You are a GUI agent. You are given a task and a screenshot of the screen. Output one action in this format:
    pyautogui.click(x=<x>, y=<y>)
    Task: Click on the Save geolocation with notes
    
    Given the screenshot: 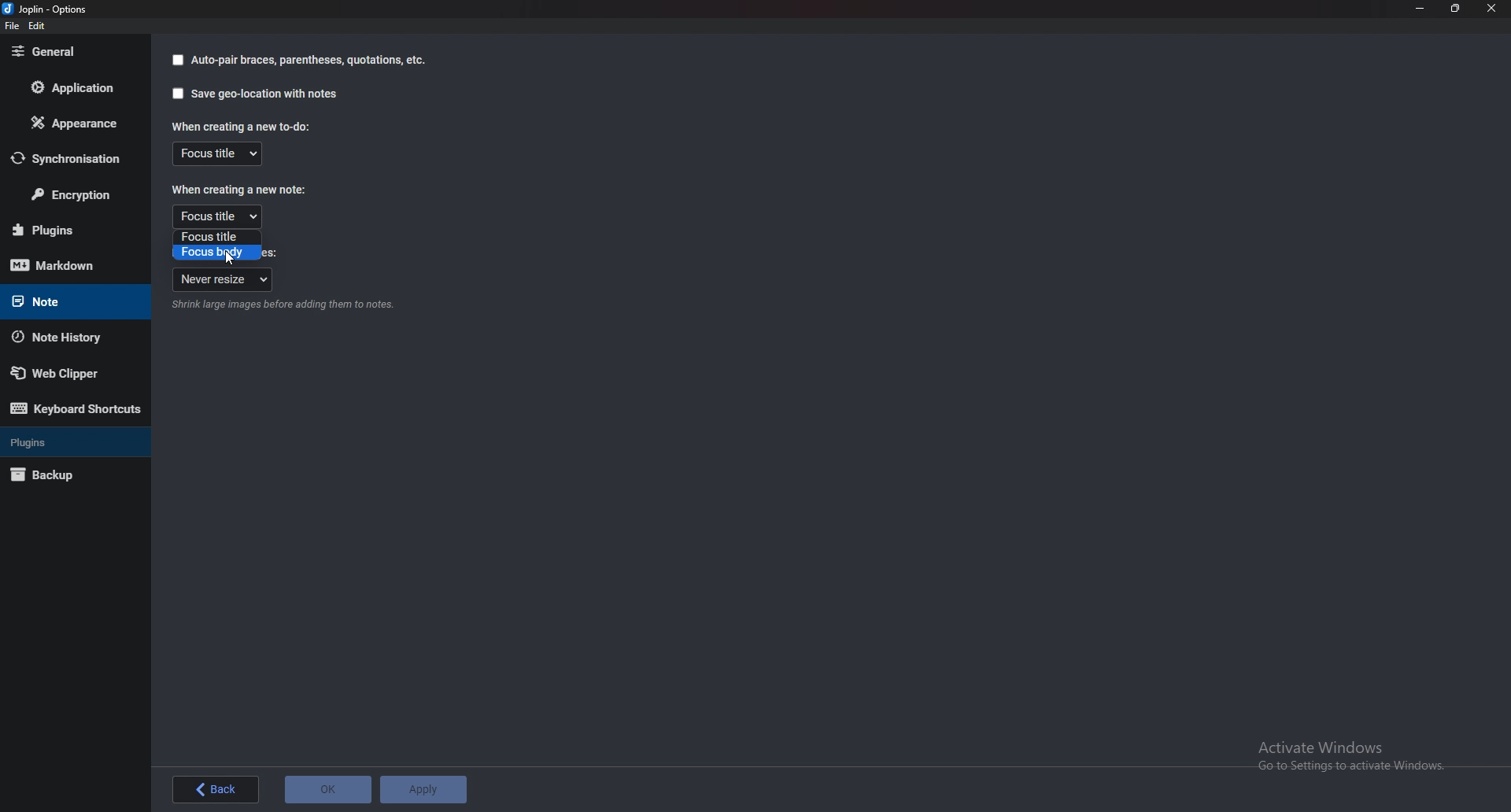 What is the action you would take?
    pyautogui.click(x=266, y=95)
    